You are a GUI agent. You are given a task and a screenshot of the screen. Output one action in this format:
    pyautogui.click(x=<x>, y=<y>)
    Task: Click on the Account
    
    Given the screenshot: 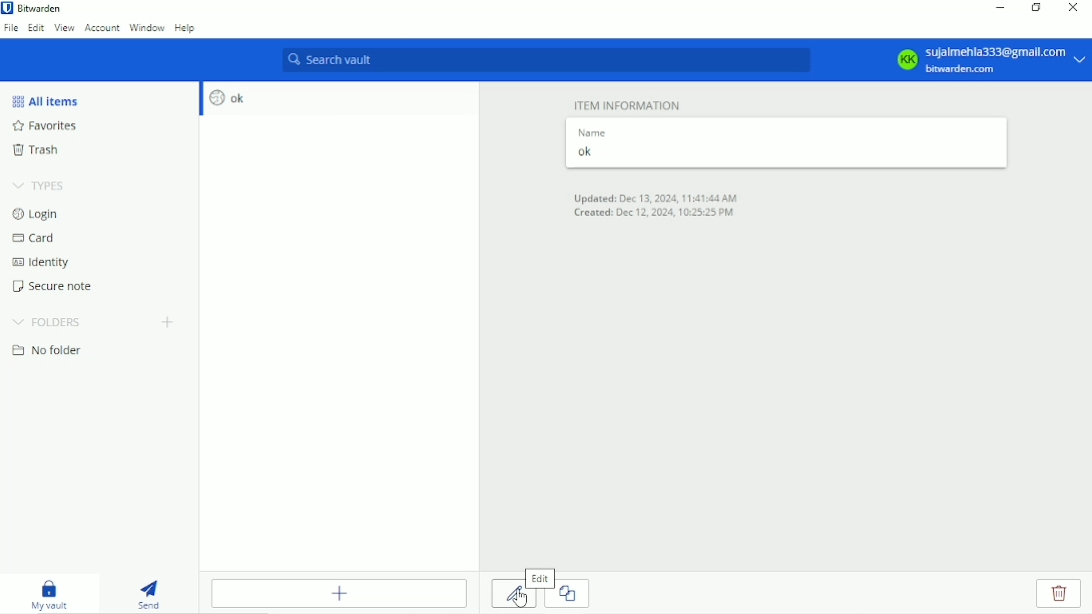 What is the action you would take?
    pyautogui.click(x=102, y=28)
    